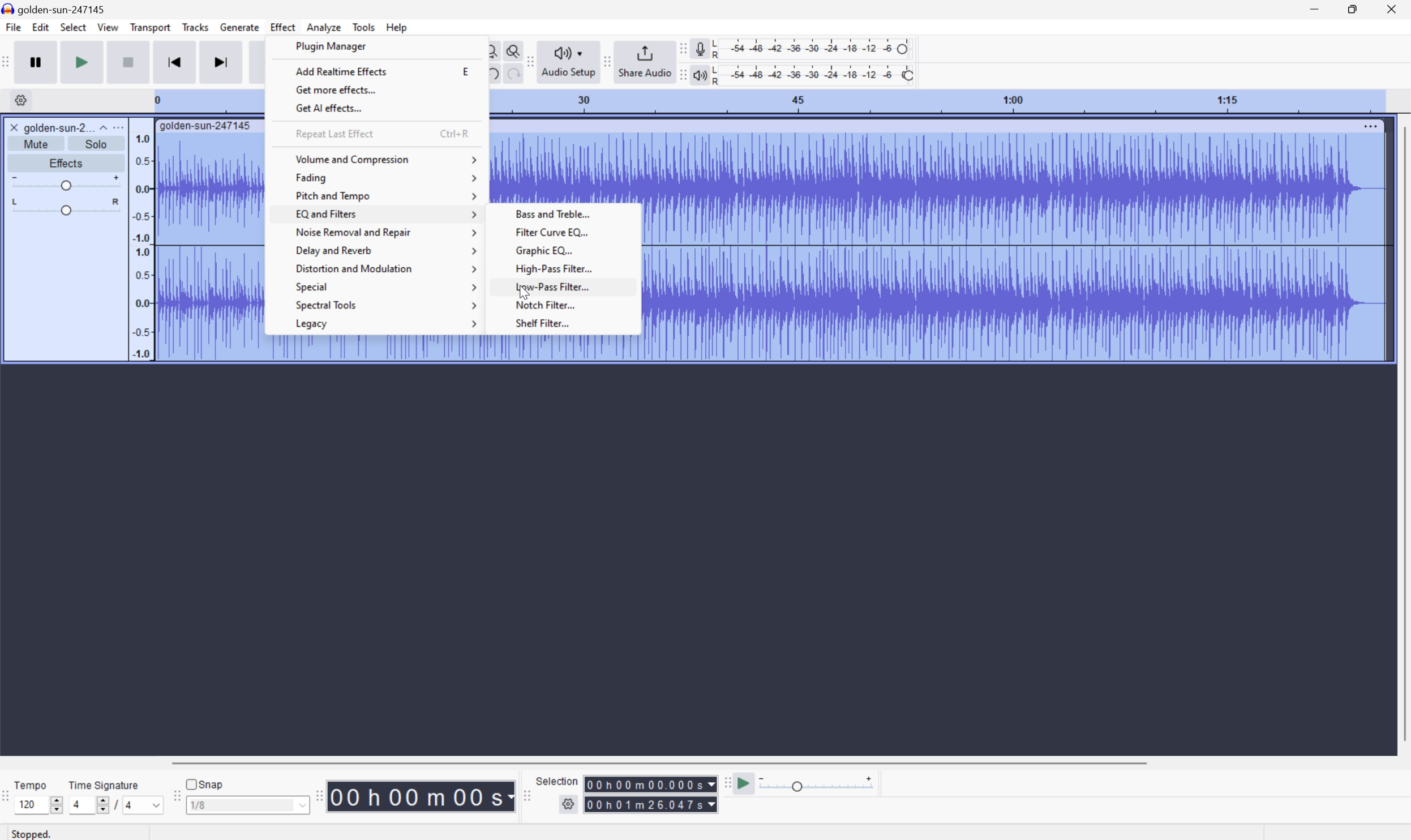 The image size is (1411, 840). I want to click on Close, so click(1392, 8).